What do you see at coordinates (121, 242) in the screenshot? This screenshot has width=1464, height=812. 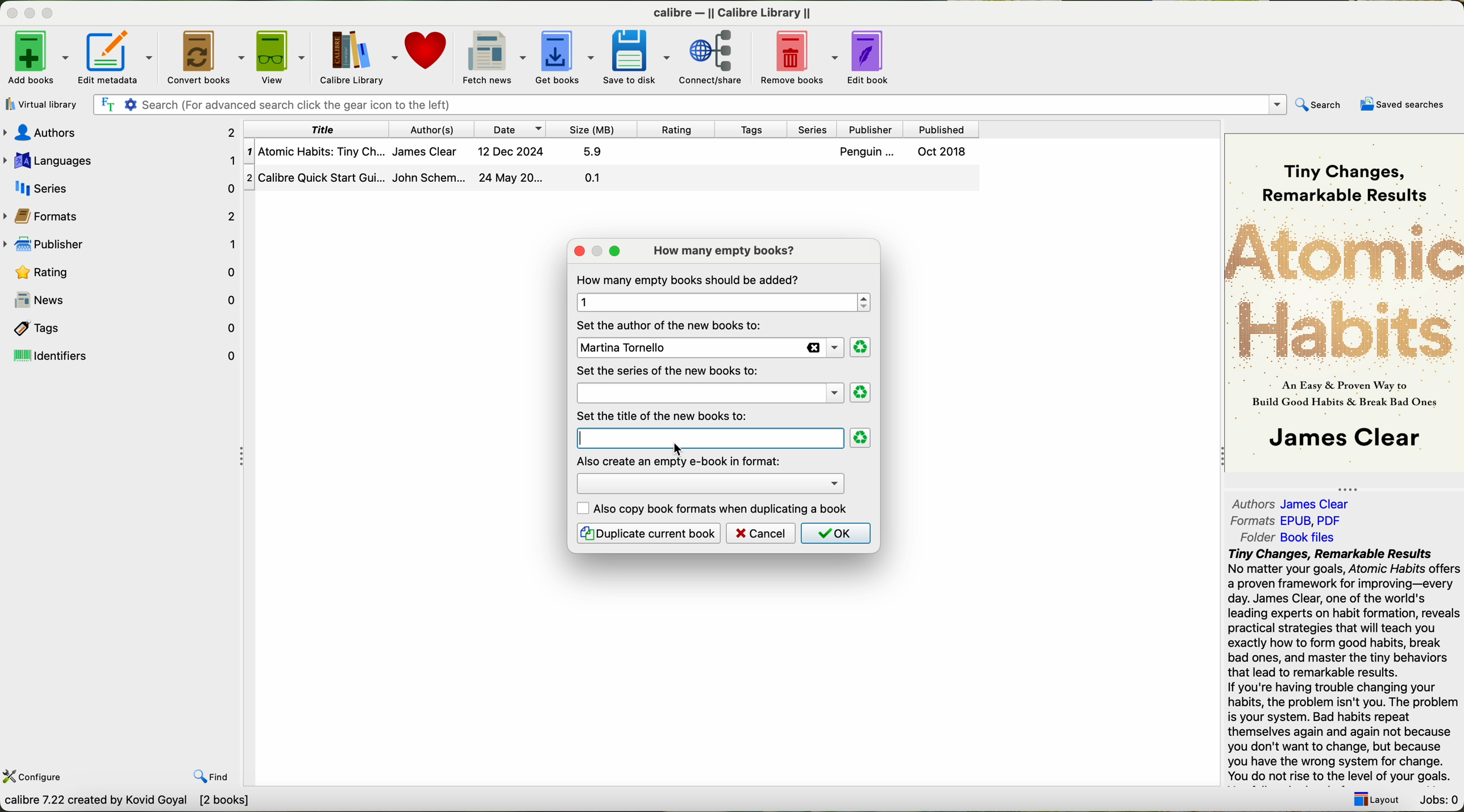 I see `publisher` at bounding box center [121, 242].